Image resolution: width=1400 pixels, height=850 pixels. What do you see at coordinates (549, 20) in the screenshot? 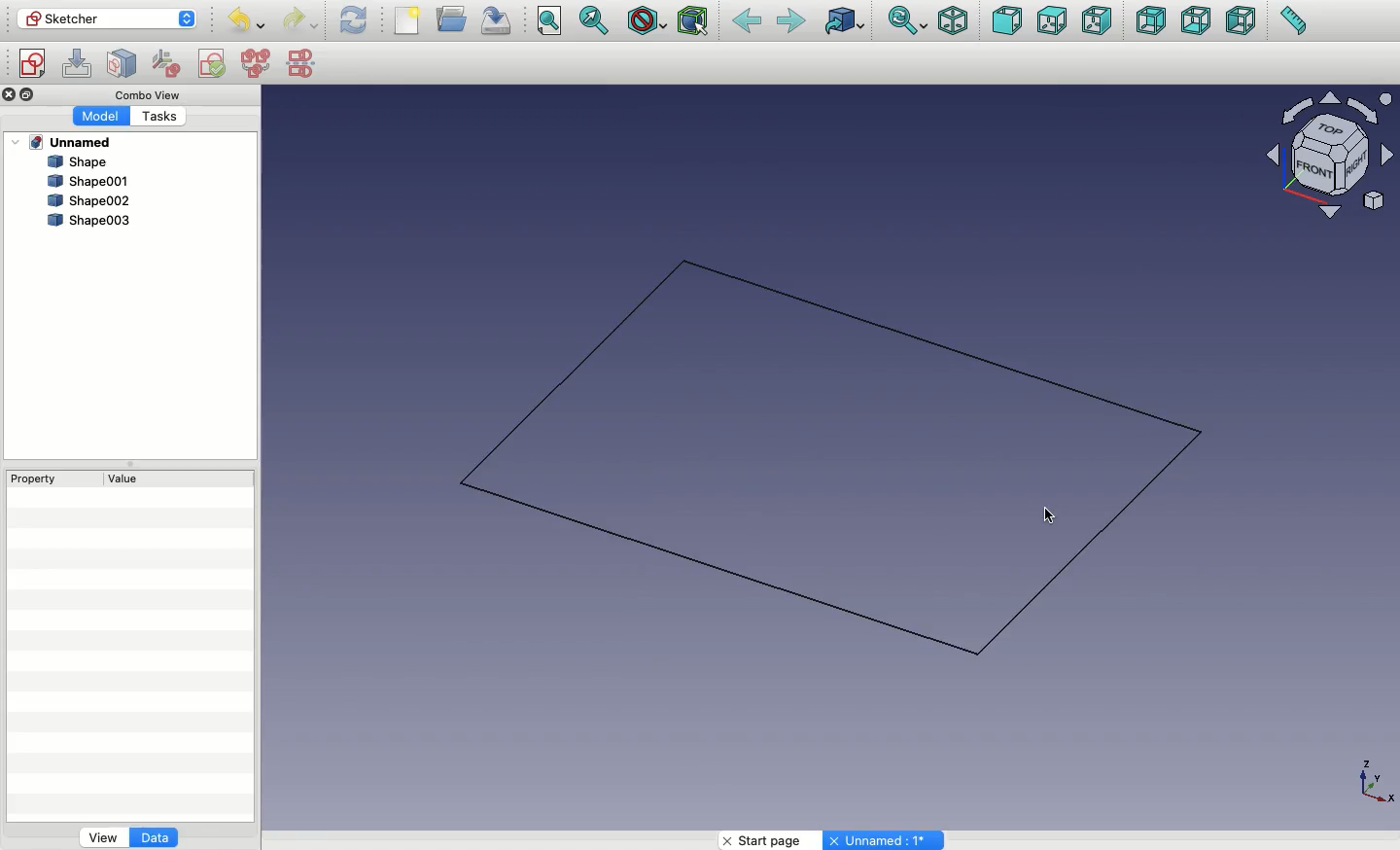
I see `Fit all` at bounding box center [549, 20].